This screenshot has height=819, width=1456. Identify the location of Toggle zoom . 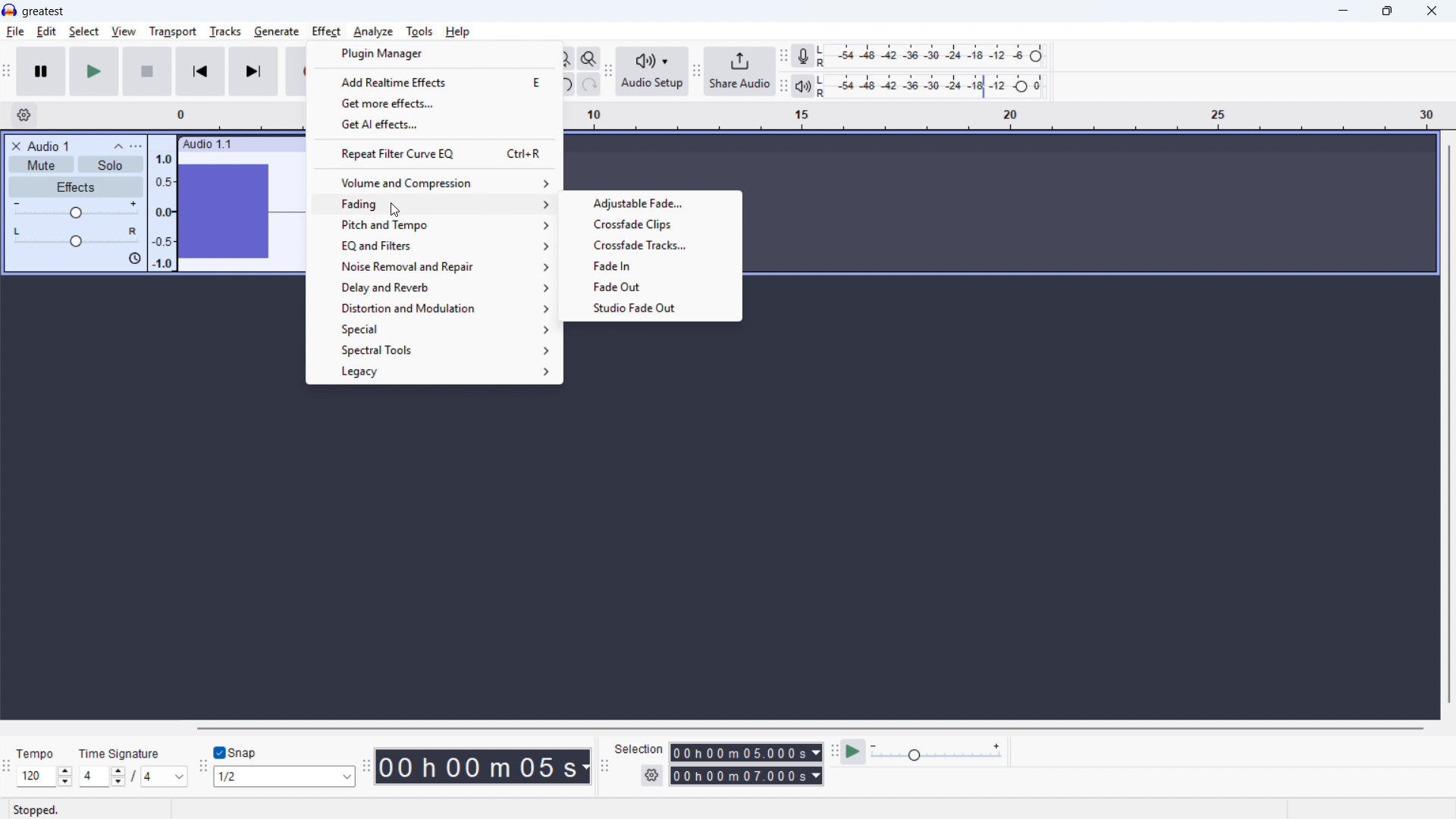
(589, 58).